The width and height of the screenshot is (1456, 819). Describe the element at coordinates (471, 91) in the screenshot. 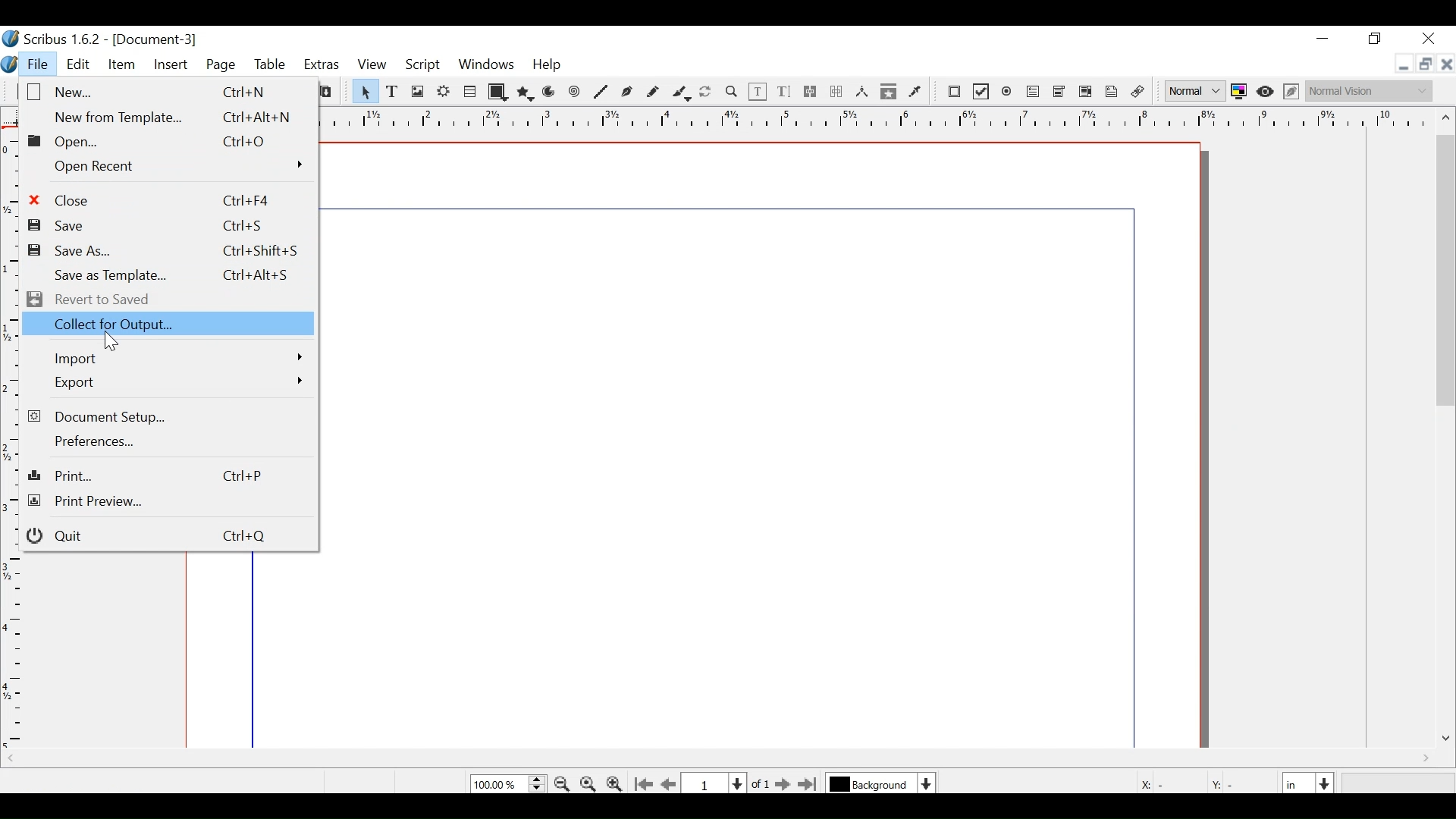

I see `Table` at that location.